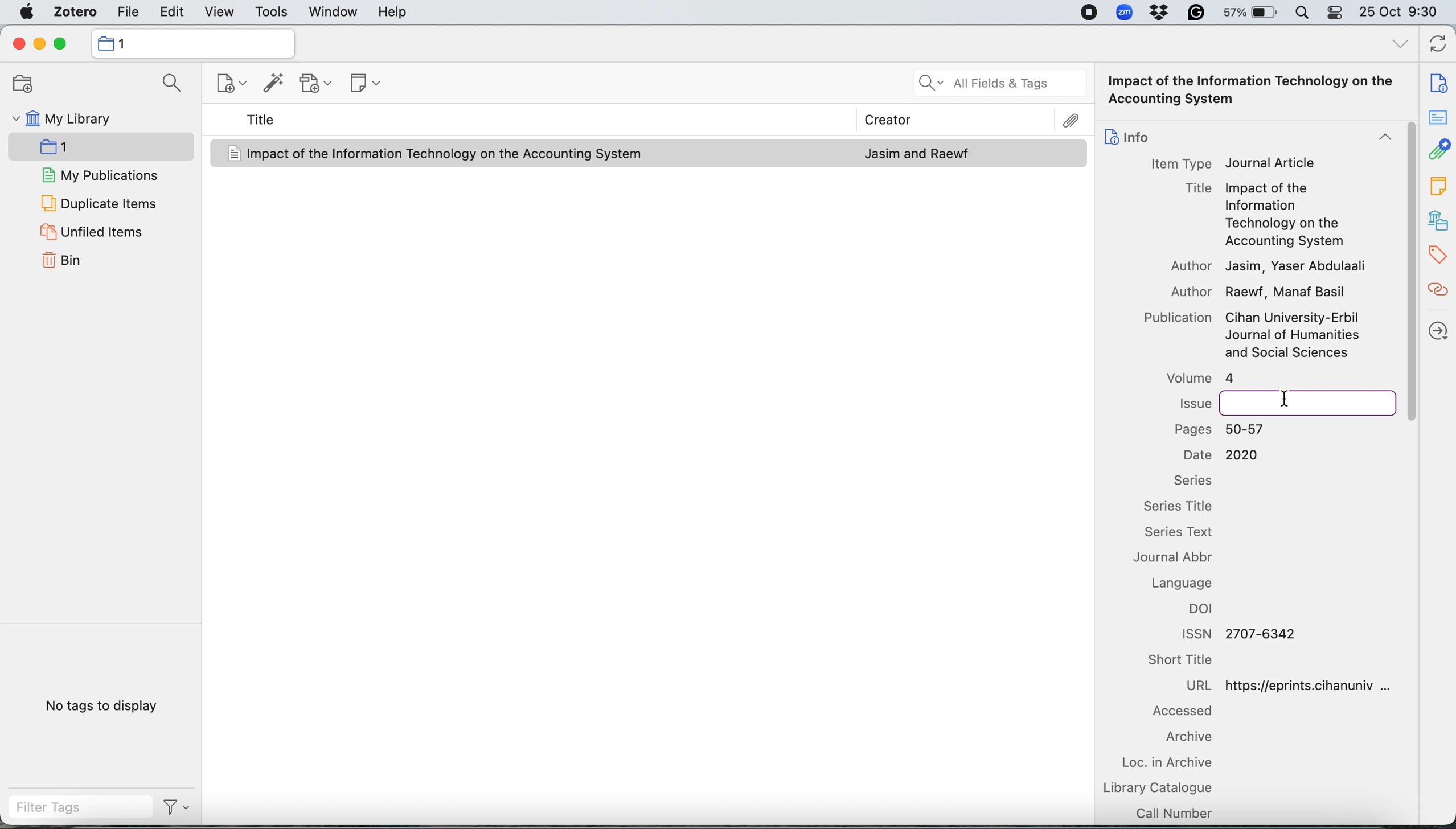  What do you see at coordinates (220, 10) in the screenshot?
I see `view` at bounding box center [220, 10].